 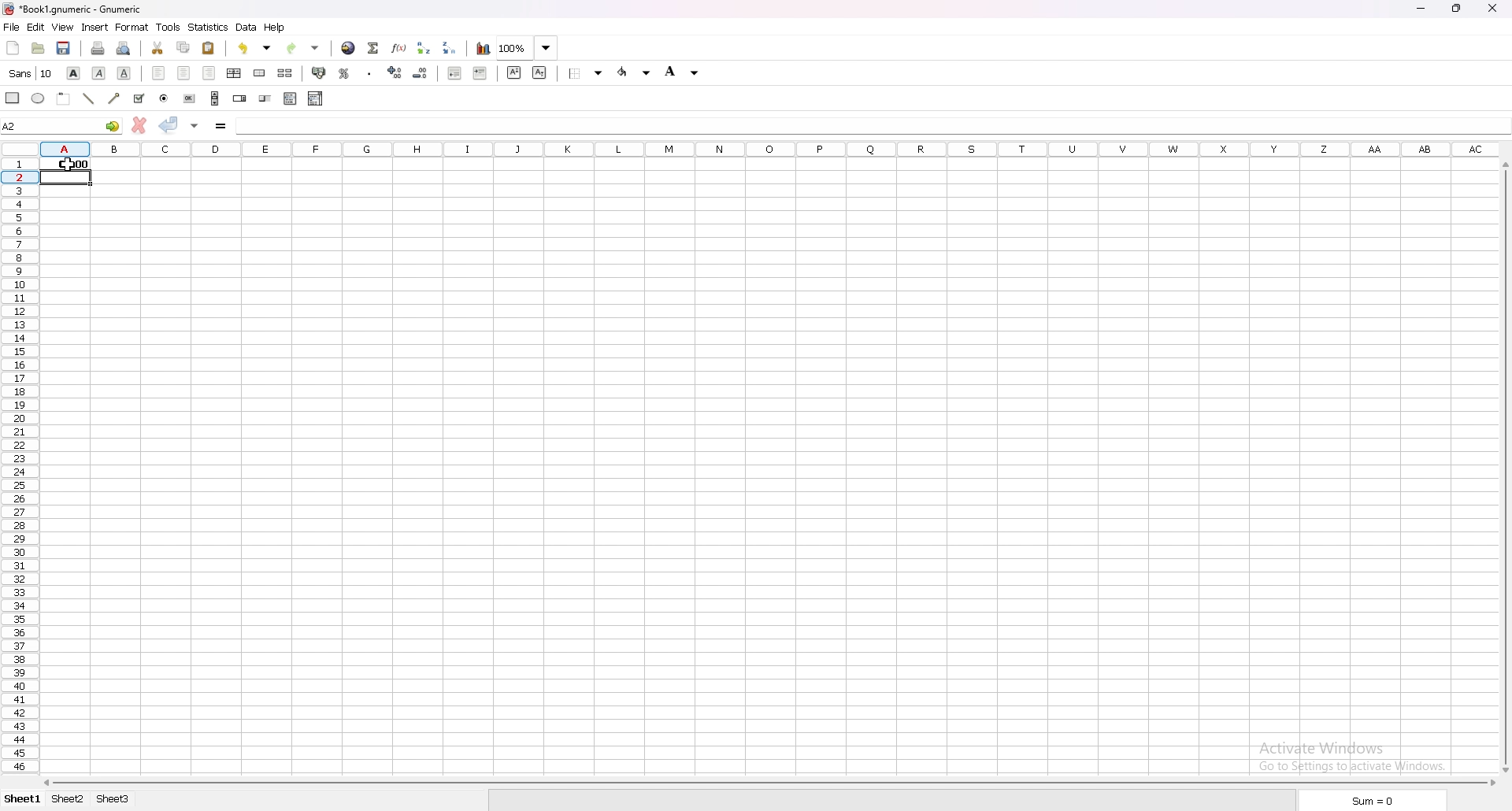 I want to click on scroll bar, so click(x=769, y=782).